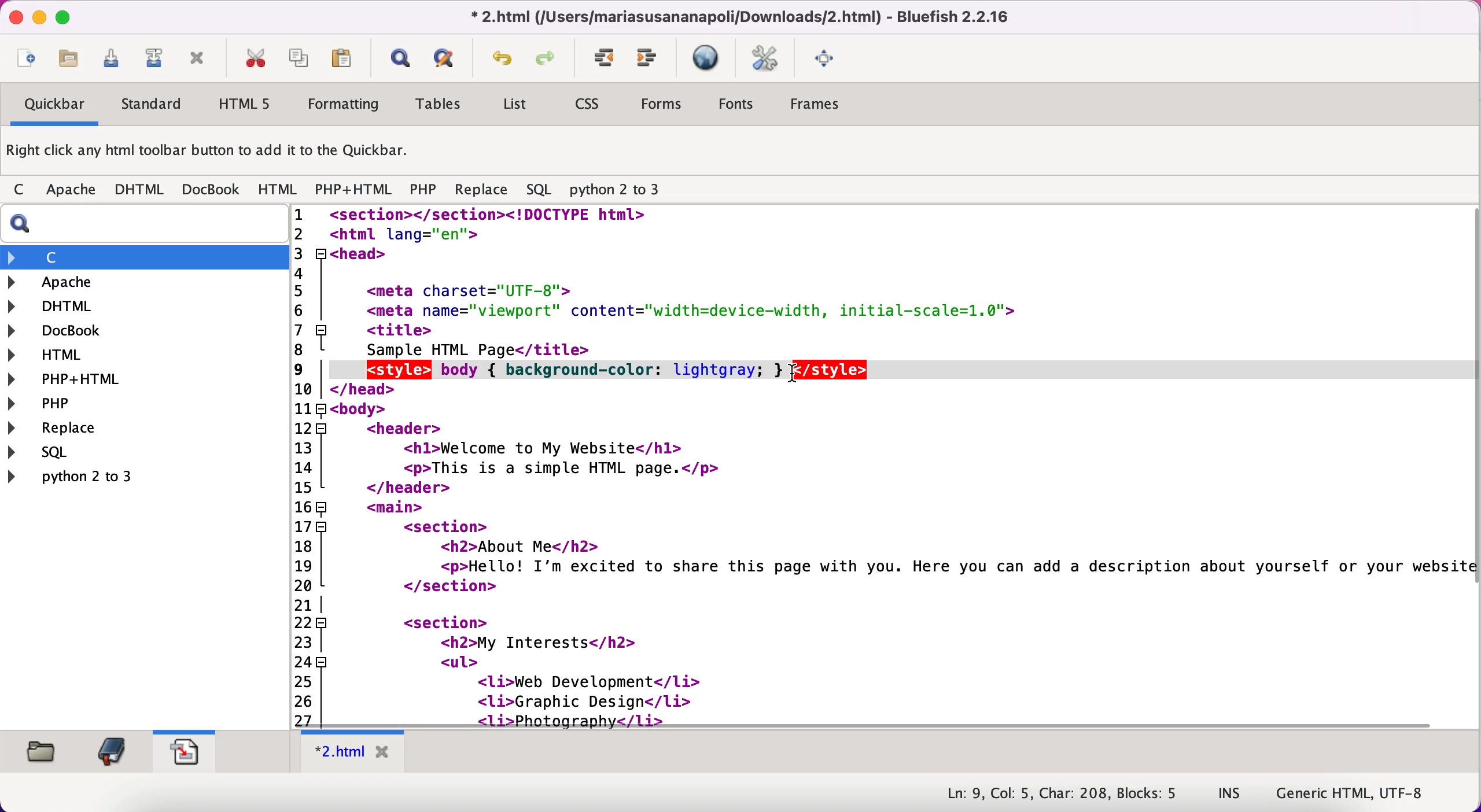  What do you see at coordinates (541, 190) in the screenshot?
I see `sql` at bounding box center [541, 190].